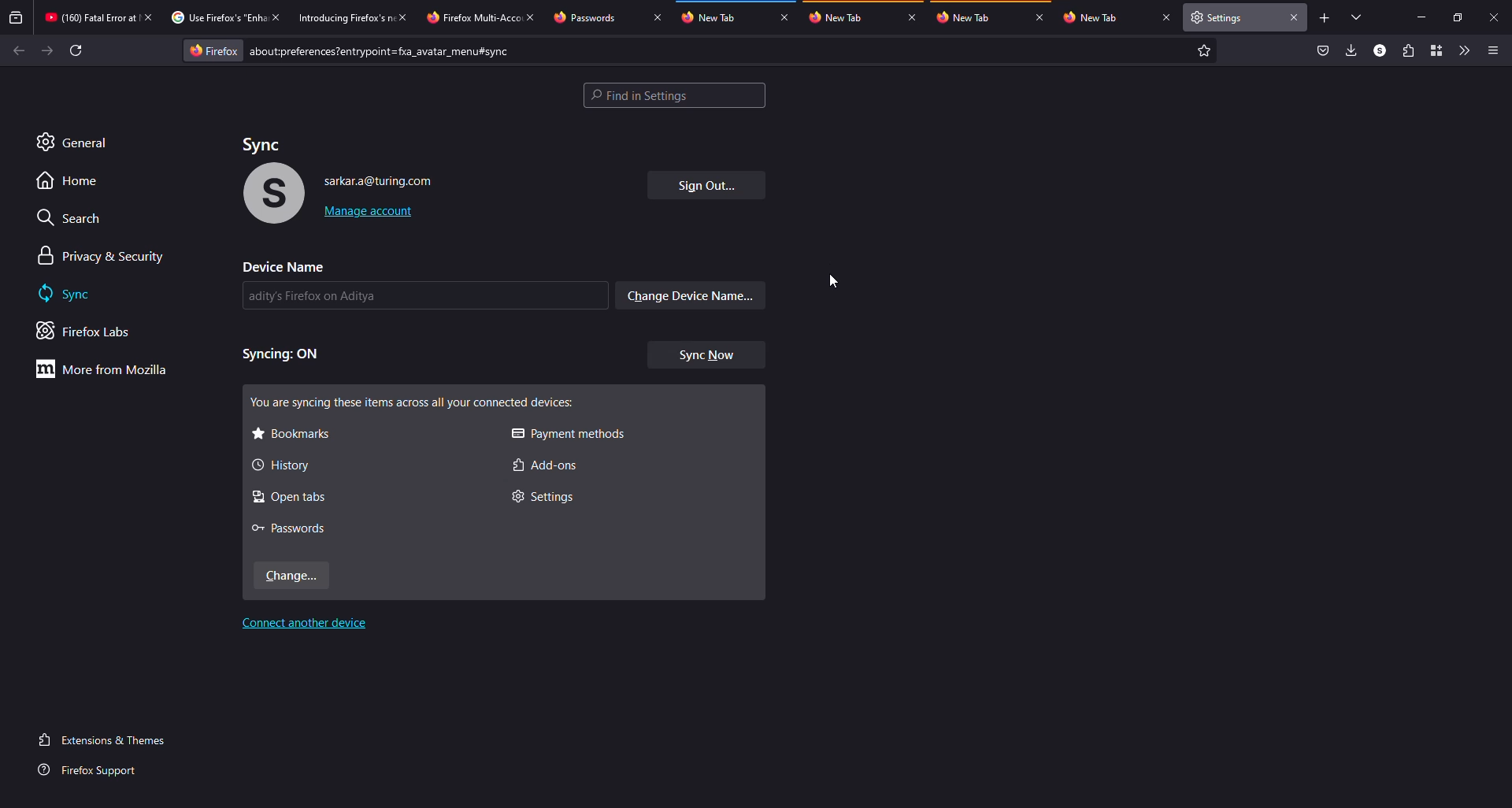  Describe the element at coordinates (291, 498) in the screenshot. I see `open tabs` at that location.